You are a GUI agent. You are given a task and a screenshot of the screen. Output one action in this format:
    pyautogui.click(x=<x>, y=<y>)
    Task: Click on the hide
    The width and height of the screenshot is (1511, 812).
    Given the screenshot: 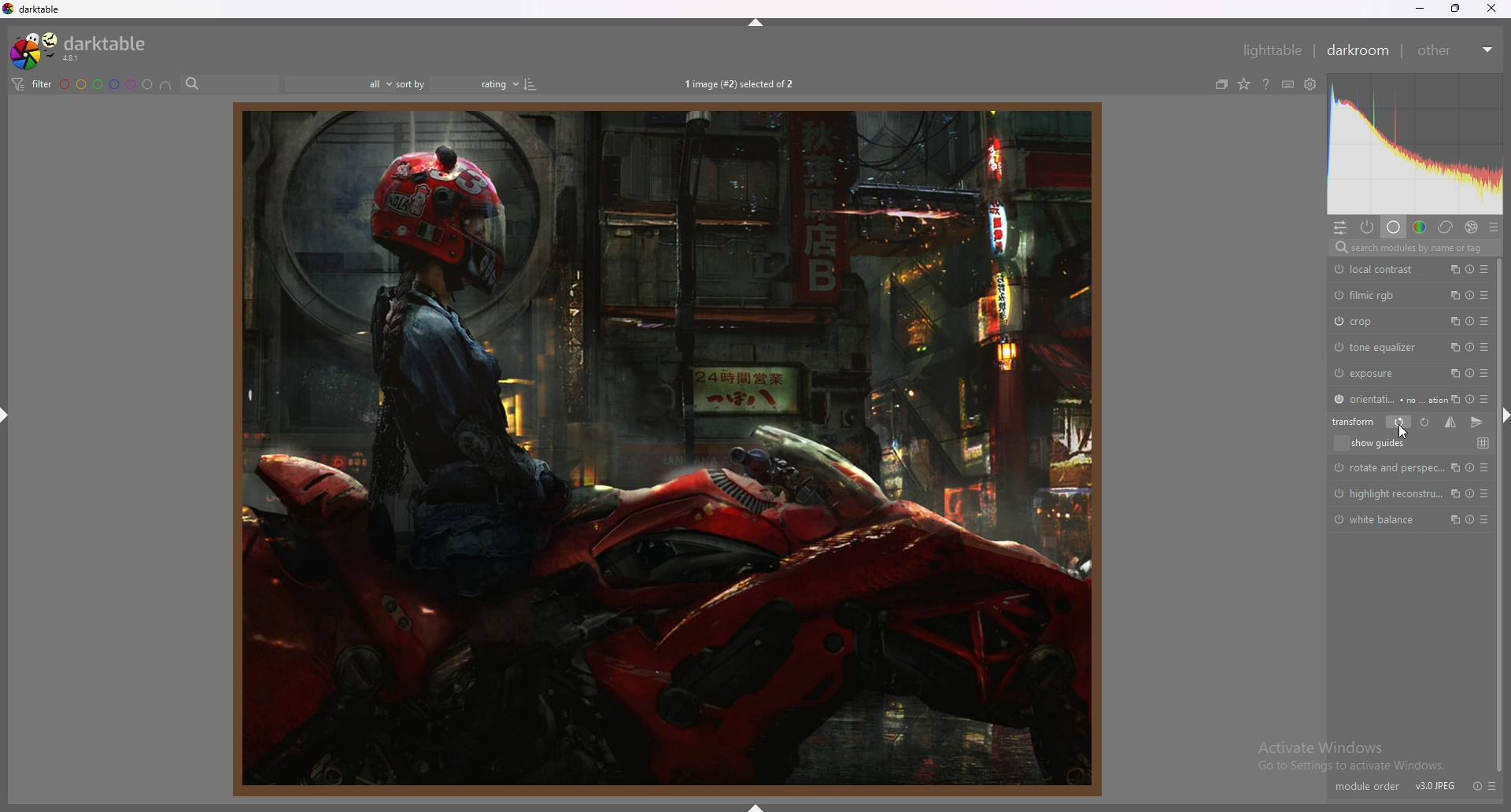 What is the action you would take?
    pyautogui.click(x=9, y=419)
    